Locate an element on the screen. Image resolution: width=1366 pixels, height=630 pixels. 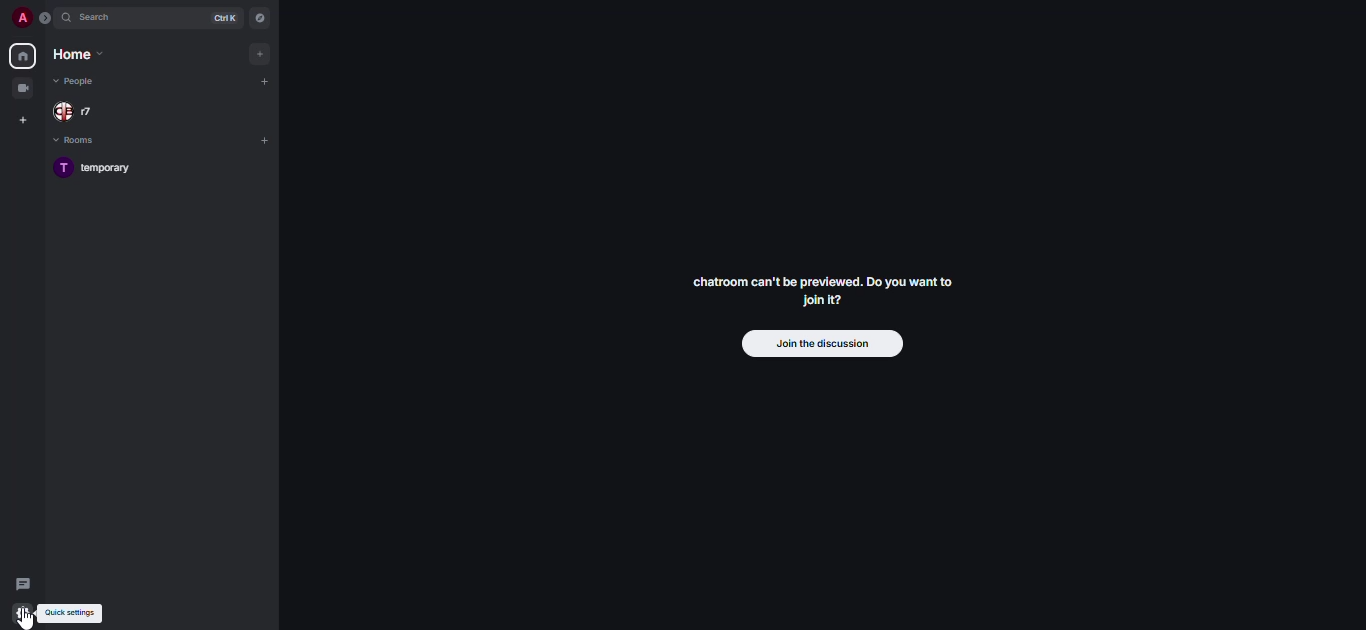
search is located at coordinates (100, 18).